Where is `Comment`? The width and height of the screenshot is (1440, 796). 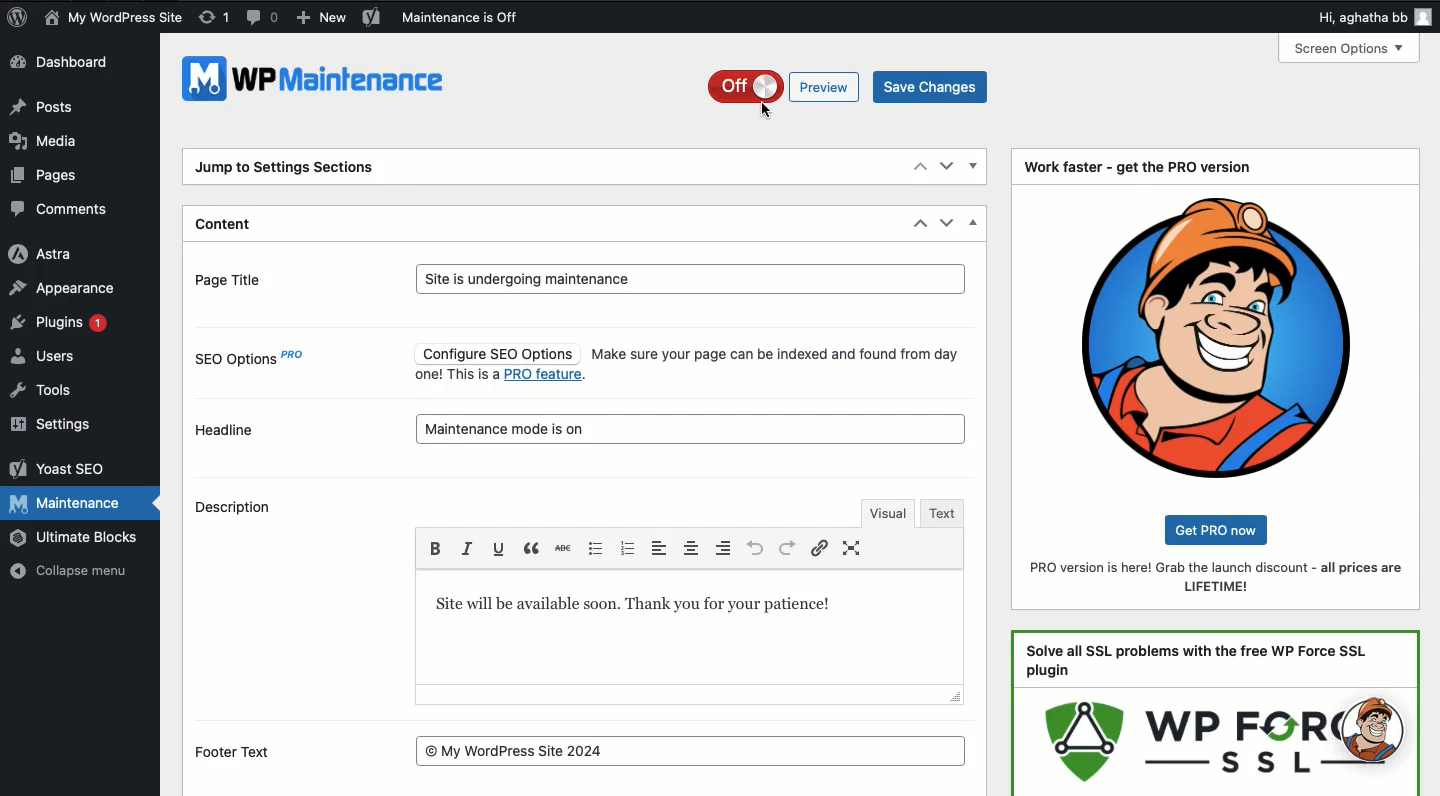
Comment is located at coordinates (262, 15).